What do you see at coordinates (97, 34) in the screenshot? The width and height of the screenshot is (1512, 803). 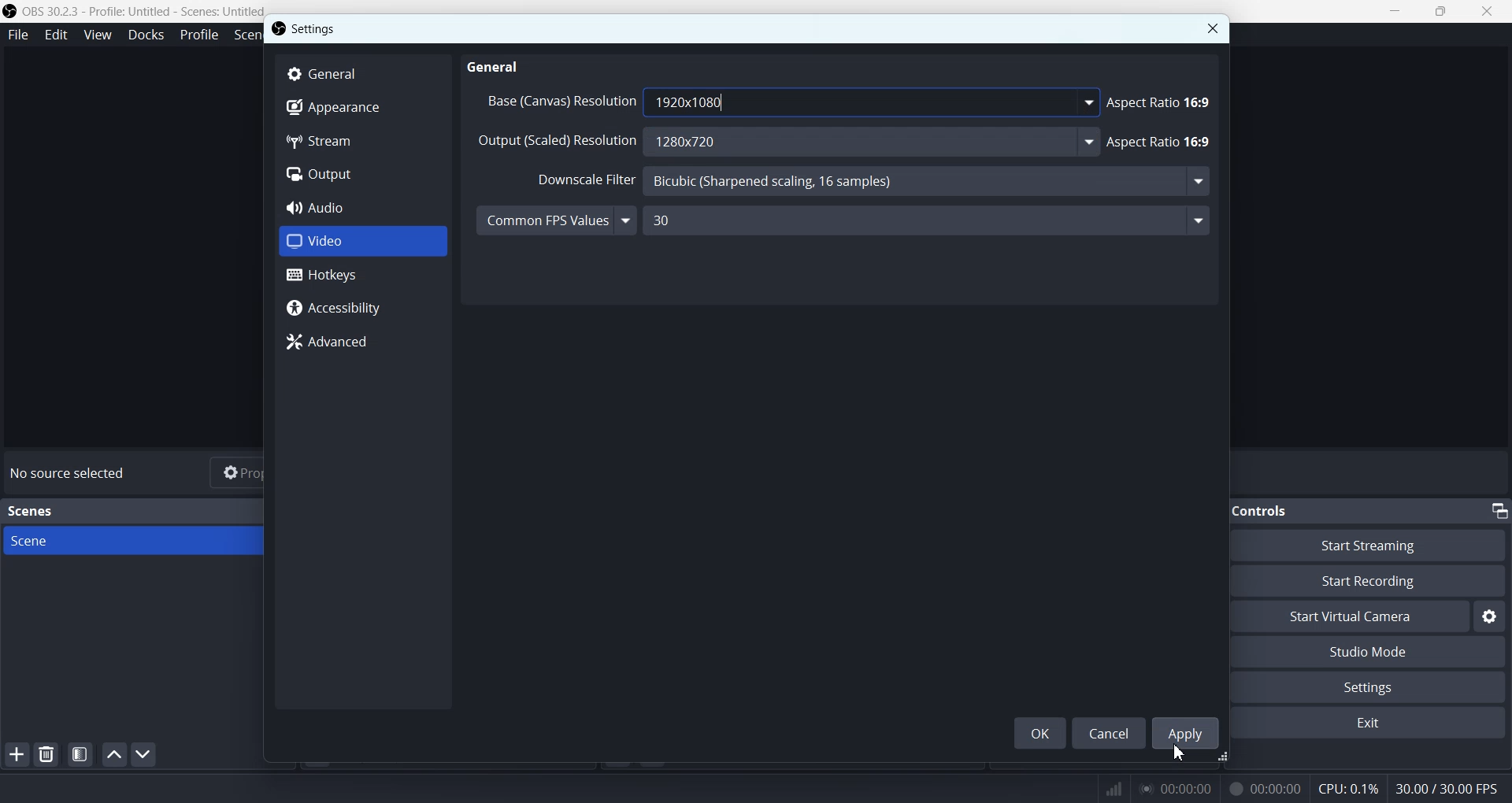 I see `View` at bounding box center [97, 34].